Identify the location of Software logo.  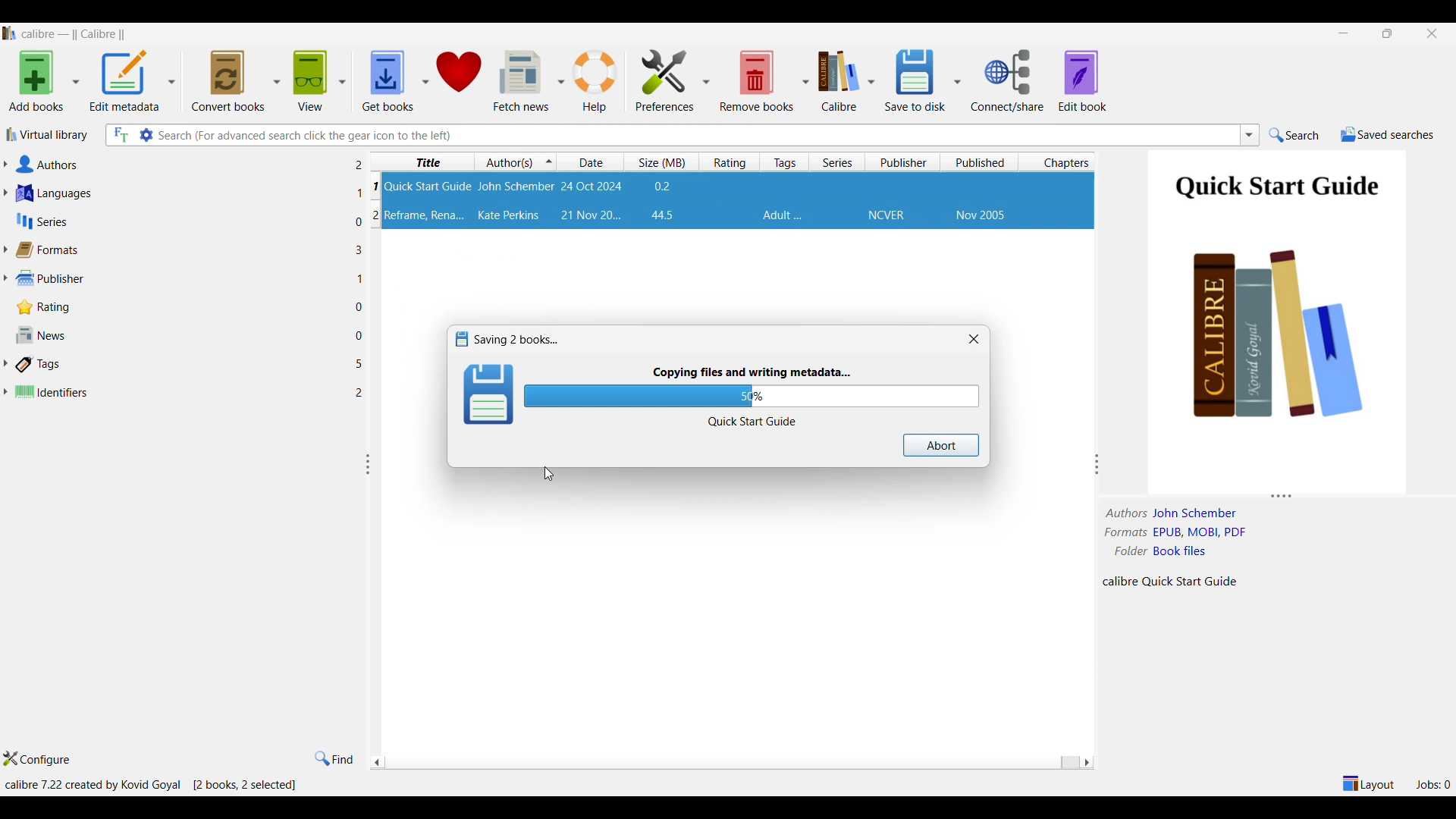
(9, 33).